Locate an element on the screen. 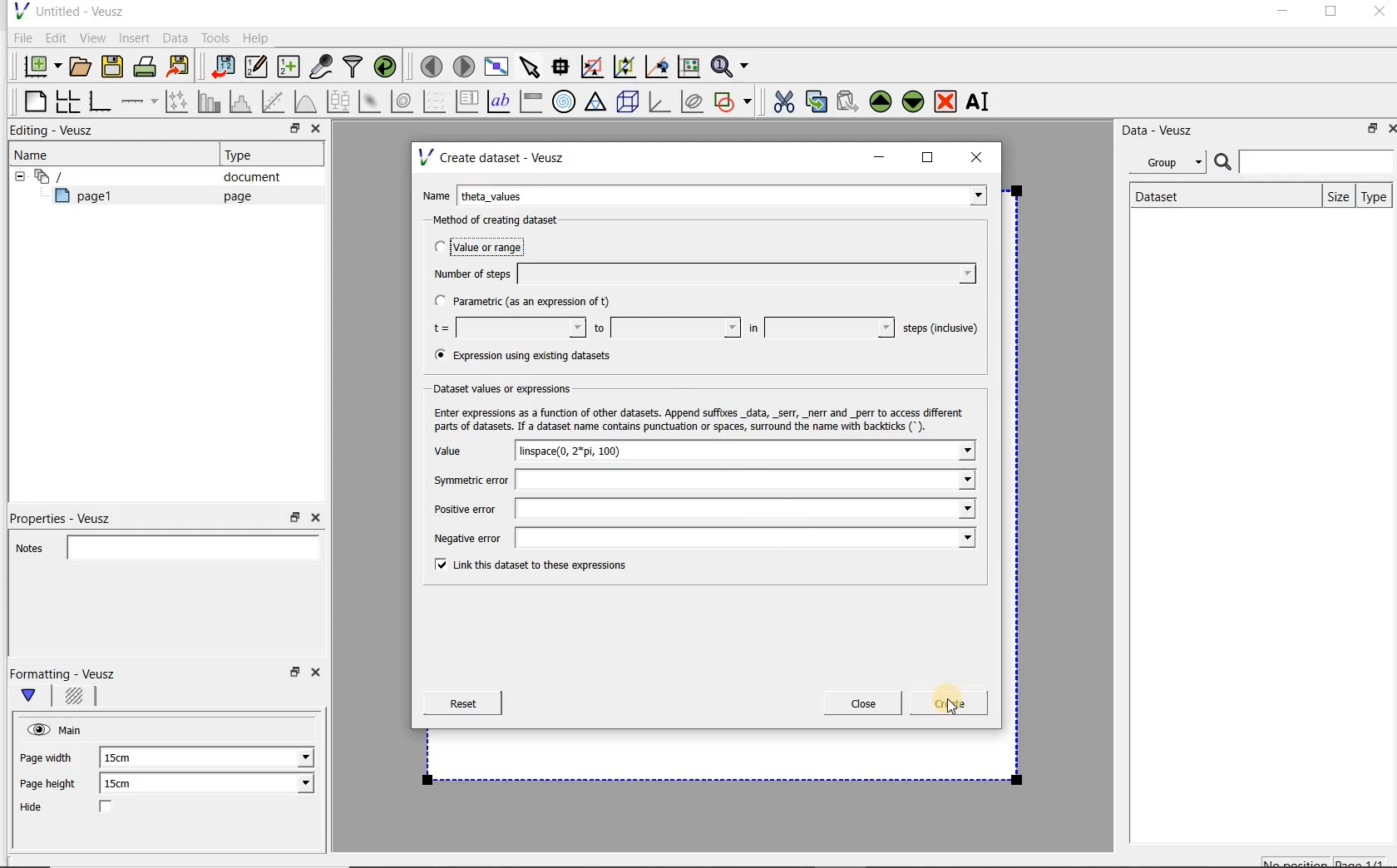  15cm is located at coordinates (126, 758).